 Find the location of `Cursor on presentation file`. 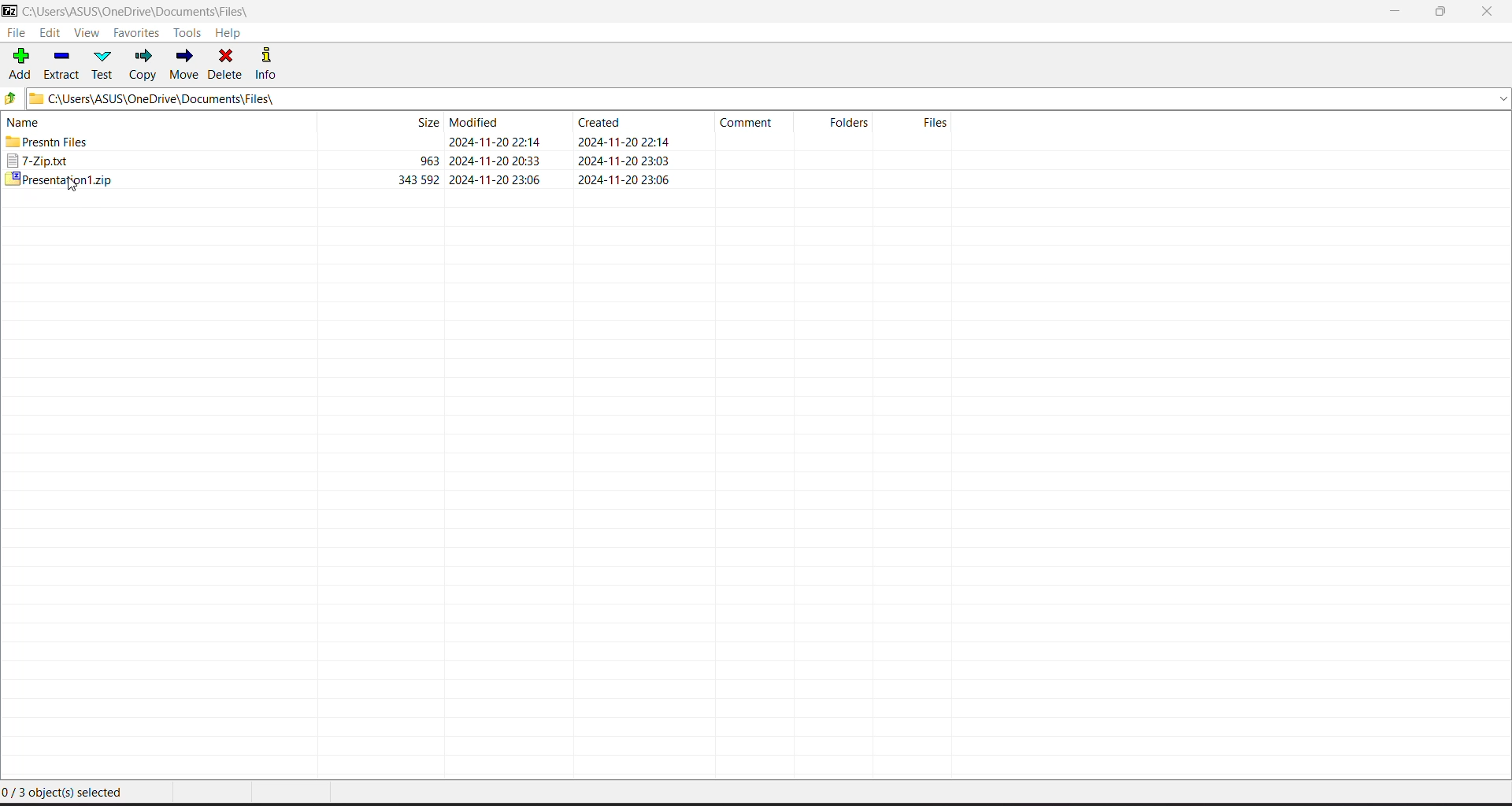

Cursor on presentation file is located at coordinates (342, 178).